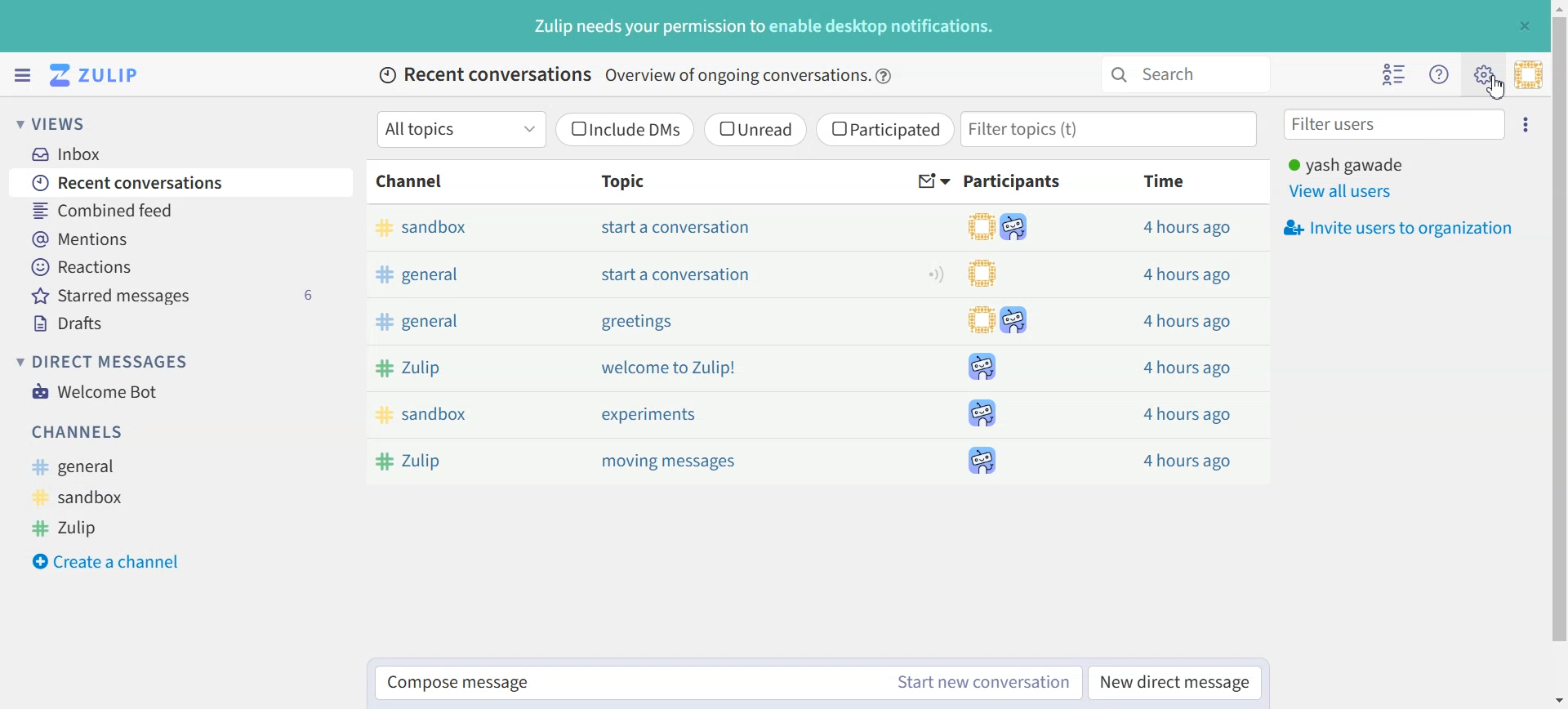 Image resolution: width=1568 pixels, height=709 pixels. Describe the element at coordinates (884, 130) in the screenshot. I see `Participated` at that location.